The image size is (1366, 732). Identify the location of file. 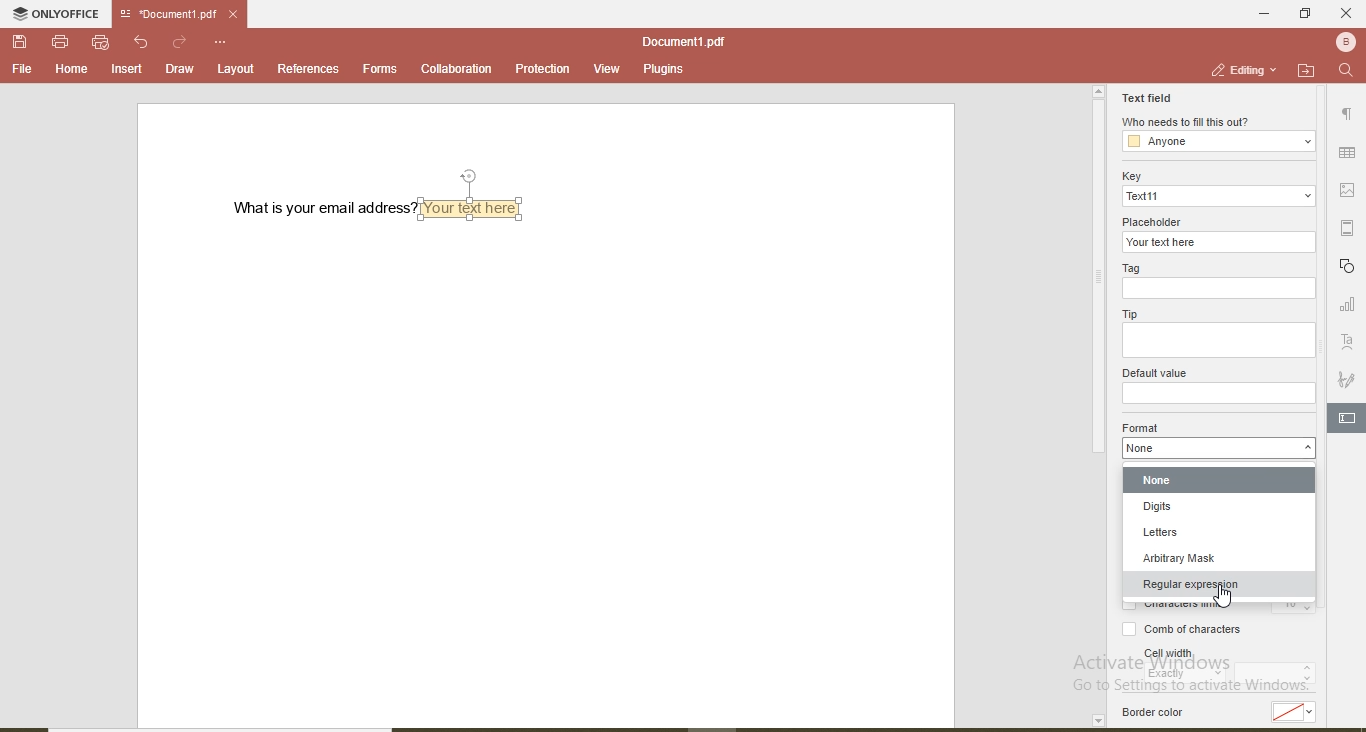
(22, 69).